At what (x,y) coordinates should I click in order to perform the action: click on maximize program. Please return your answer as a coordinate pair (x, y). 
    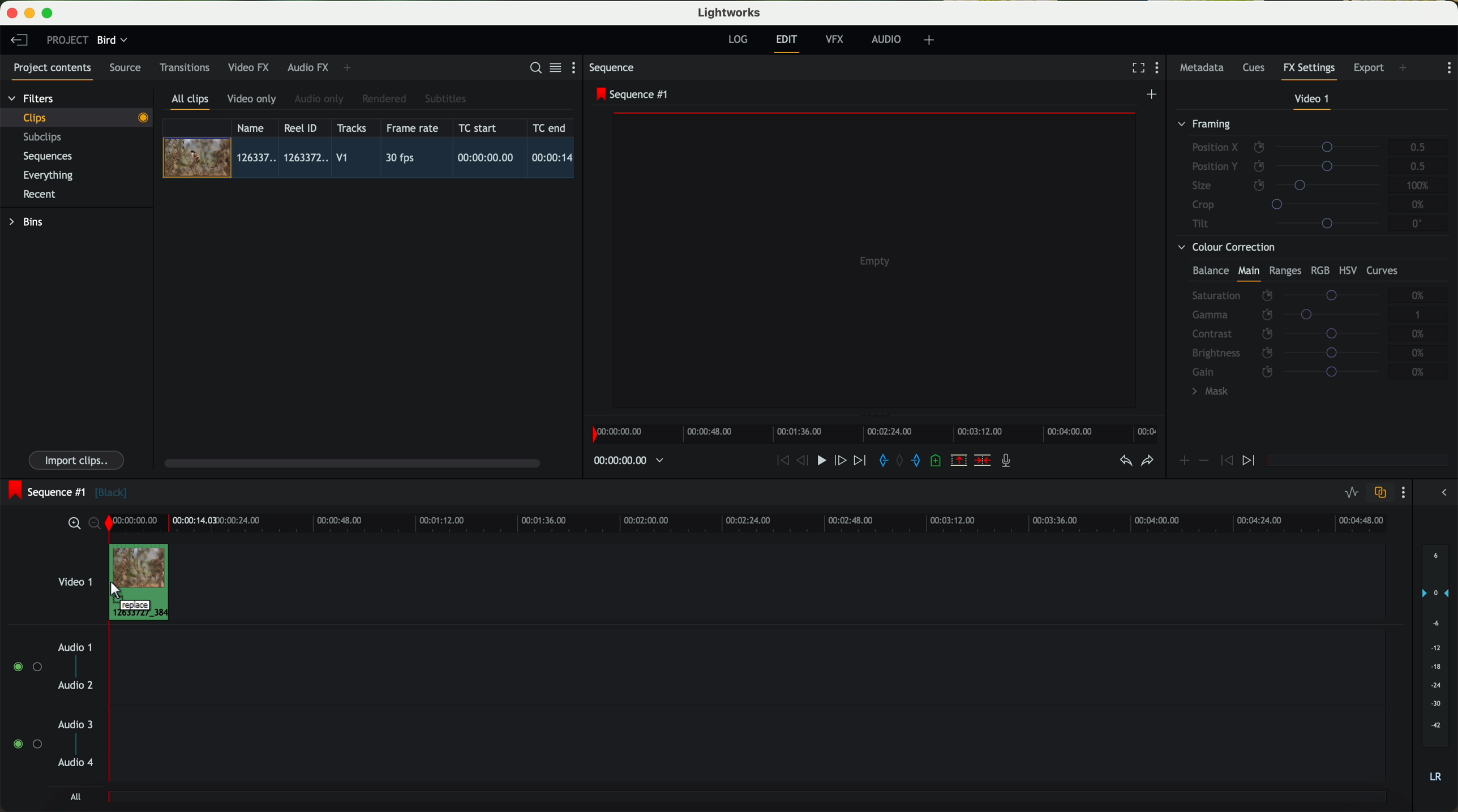
    Looking at the image, I should click on (49, 14).